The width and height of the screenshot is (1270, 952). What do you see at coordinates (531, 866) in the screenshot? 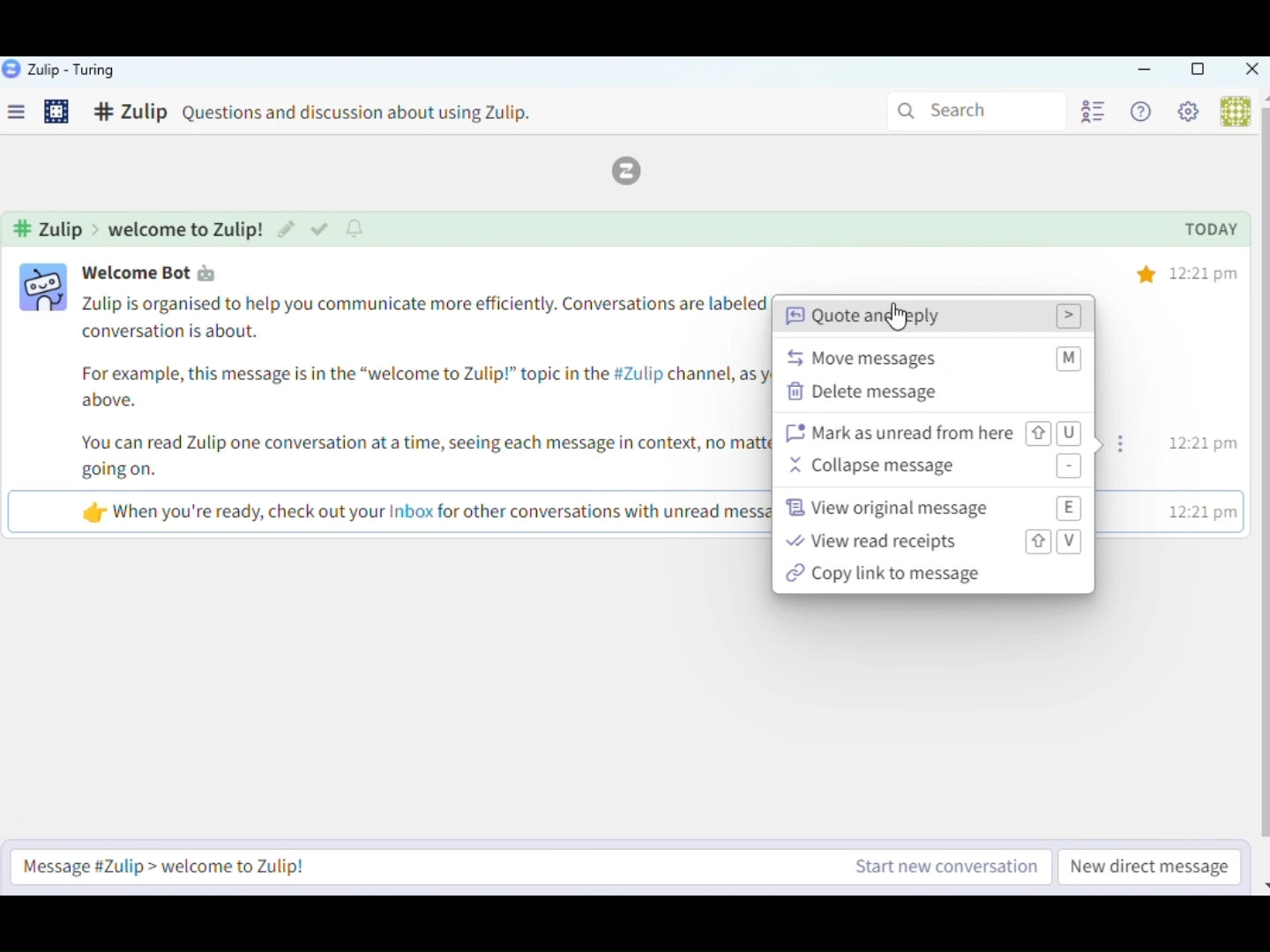
I see `Message Zulip Start New Conversation` at bounding box center [531, 866].